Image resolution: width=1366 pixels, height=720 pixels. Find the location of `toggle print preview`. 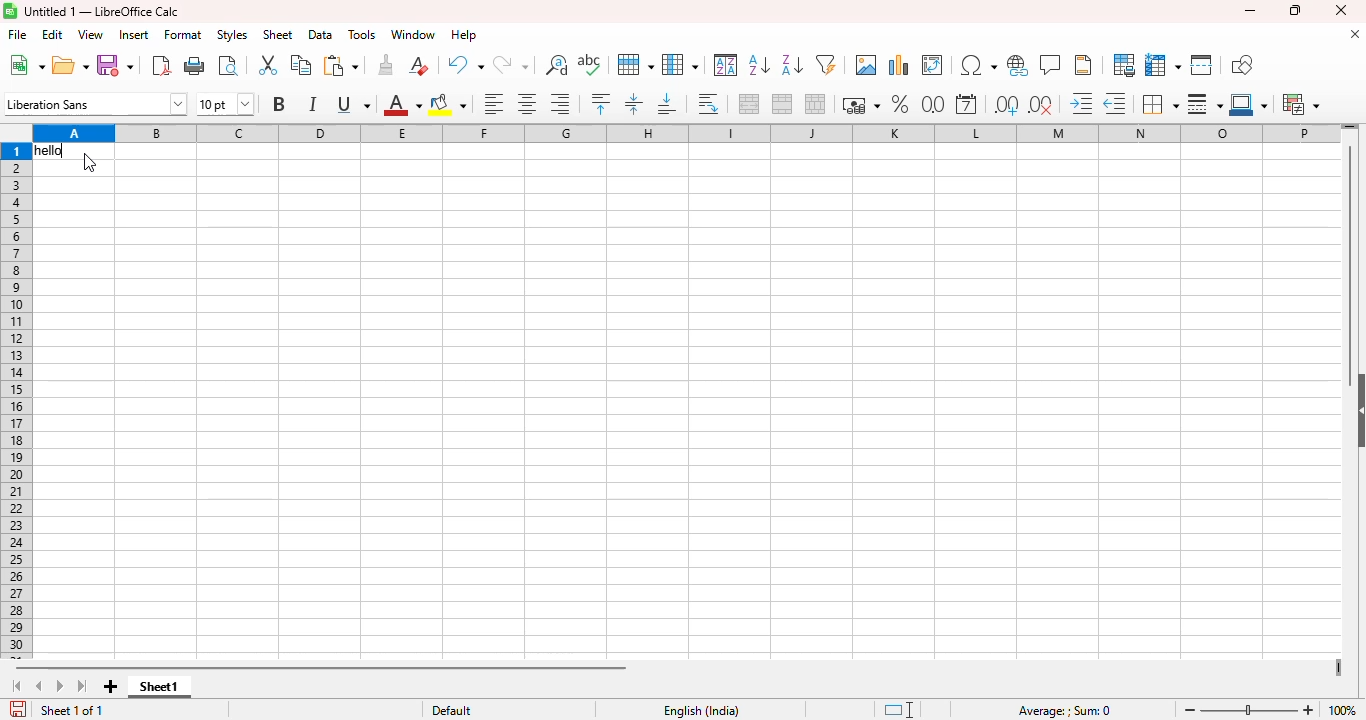

toggle print preview is located at coordinates (228, 65).